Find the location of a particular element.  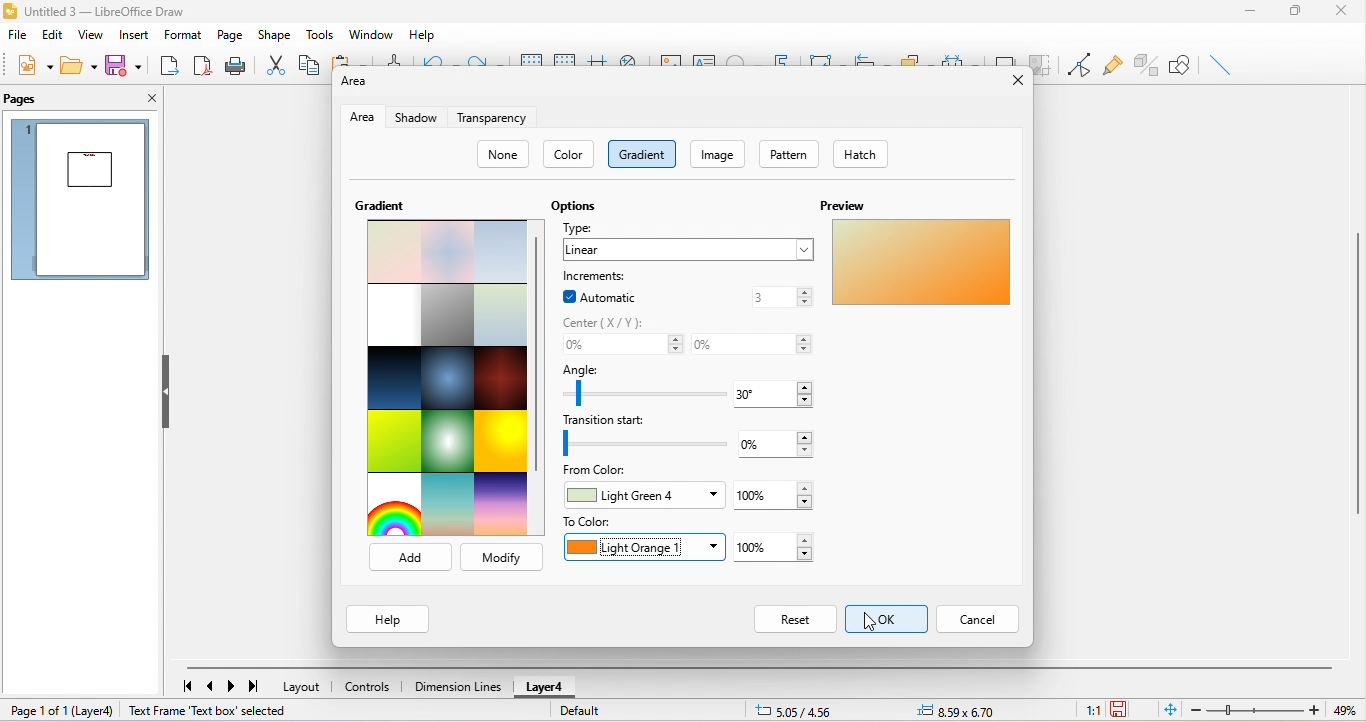

format is located at coordinates (180, 35).